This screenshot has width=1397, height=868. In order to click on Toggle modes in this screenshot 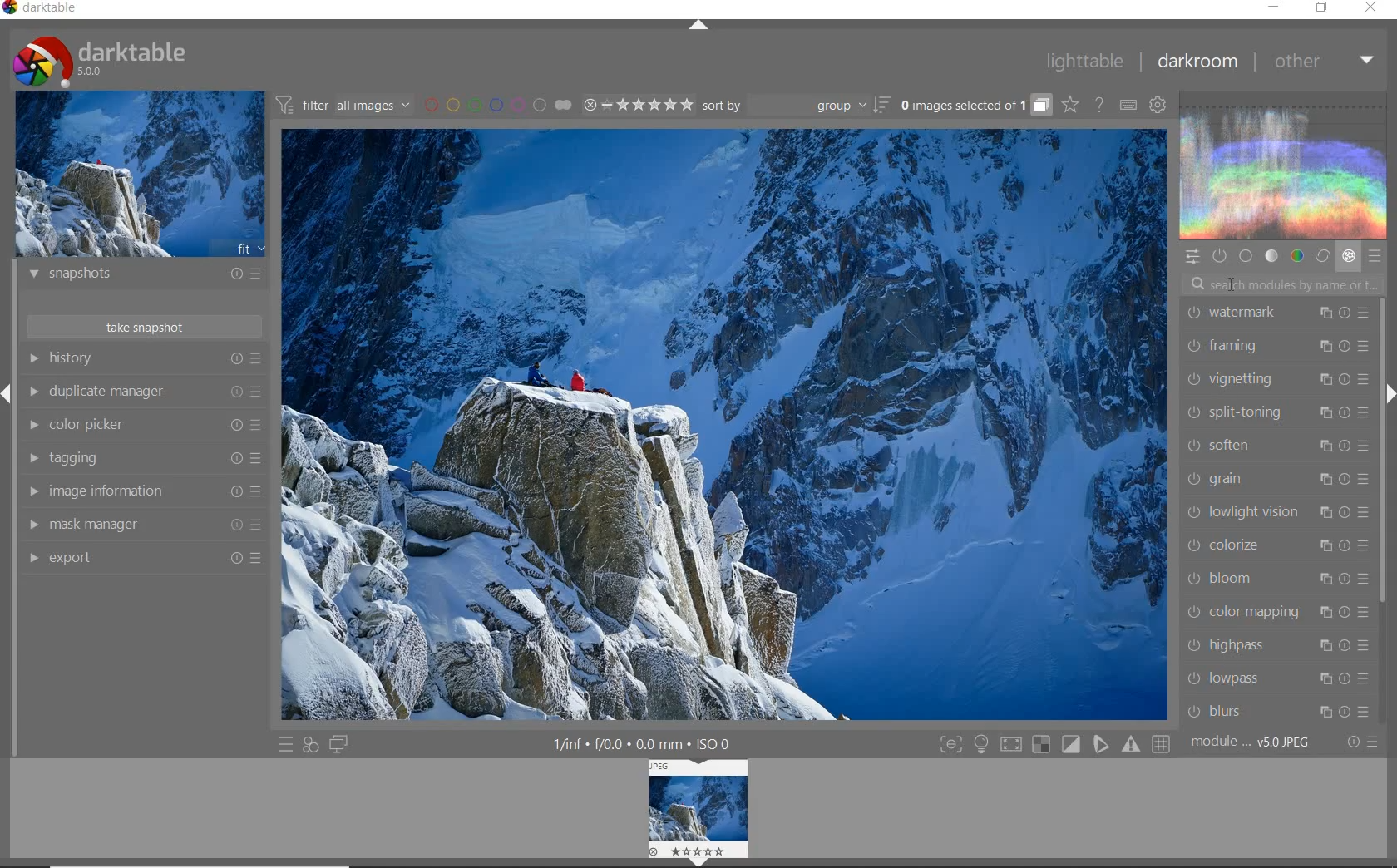, I will do `click(1054, 742)`.